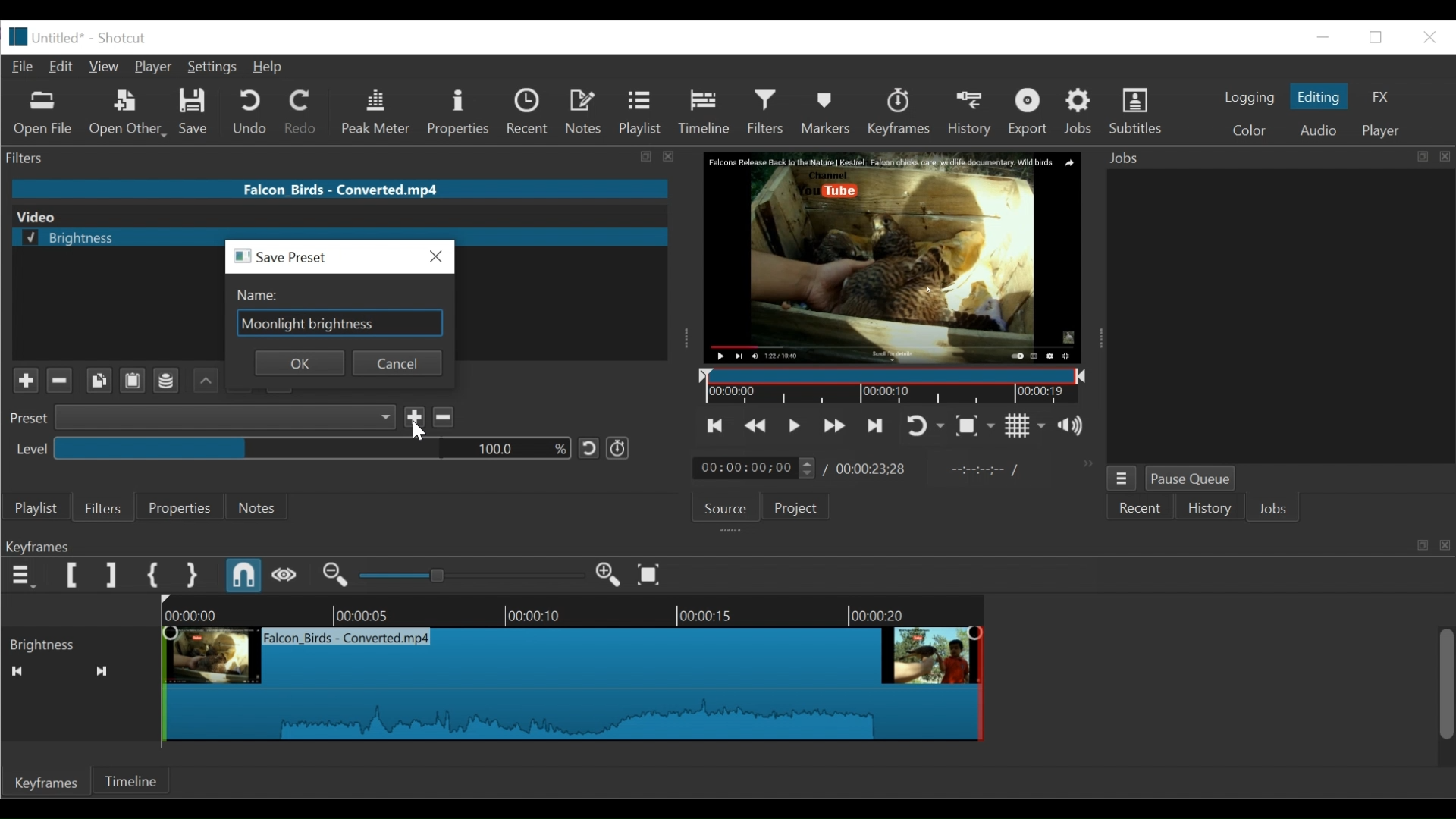  What do you see at coordinates (130, 780) in the screenshot?
I see `Timeline` at bounding box center [130, 780].